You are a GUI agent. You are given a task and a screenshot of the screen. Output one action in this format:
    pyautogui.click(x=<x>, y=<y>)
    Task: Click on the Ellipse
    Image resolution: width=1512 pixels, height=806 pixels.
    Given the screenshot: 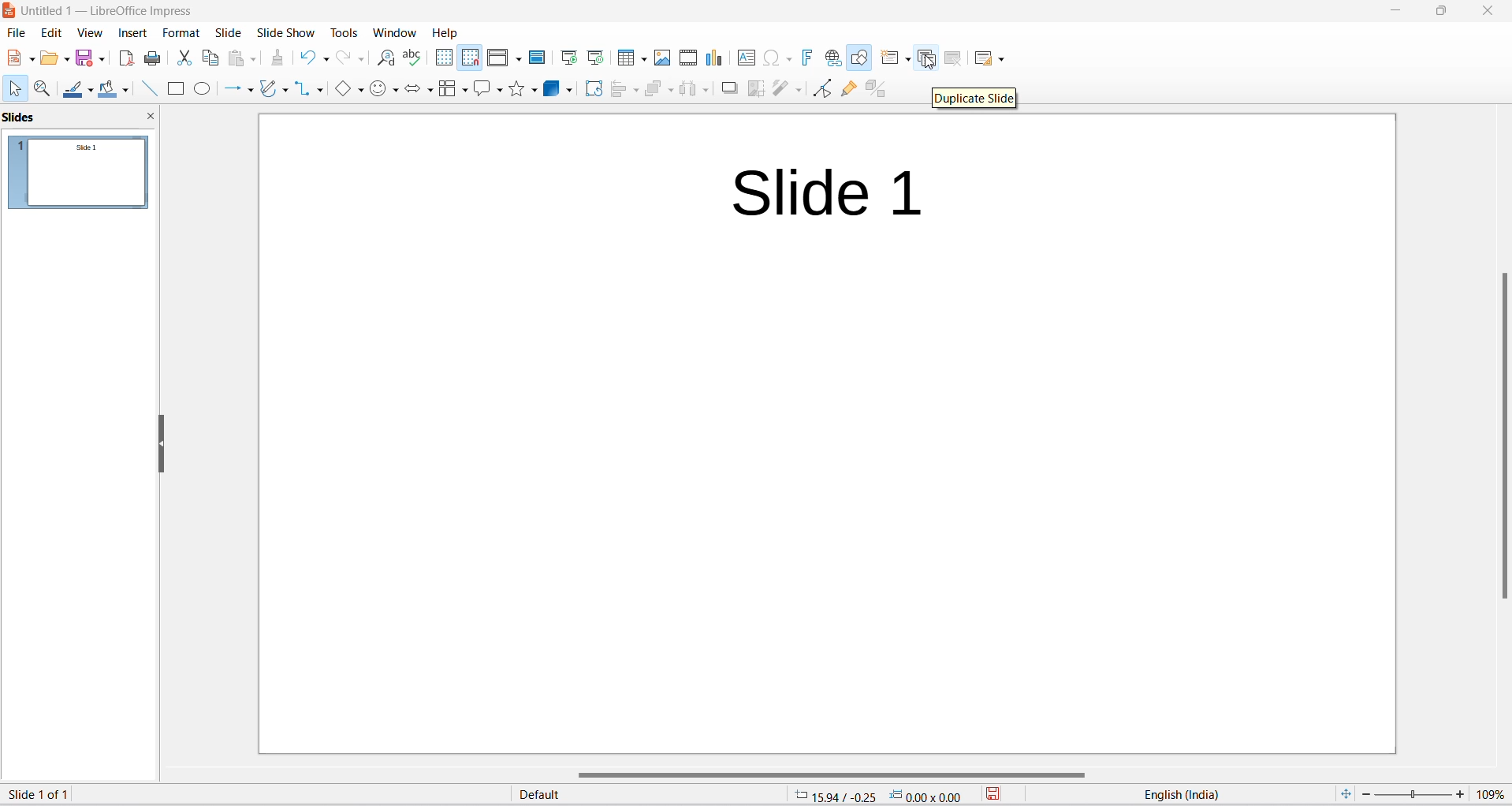 What is the action you would take?
    pyautogui.click(x=201, y=91)
    